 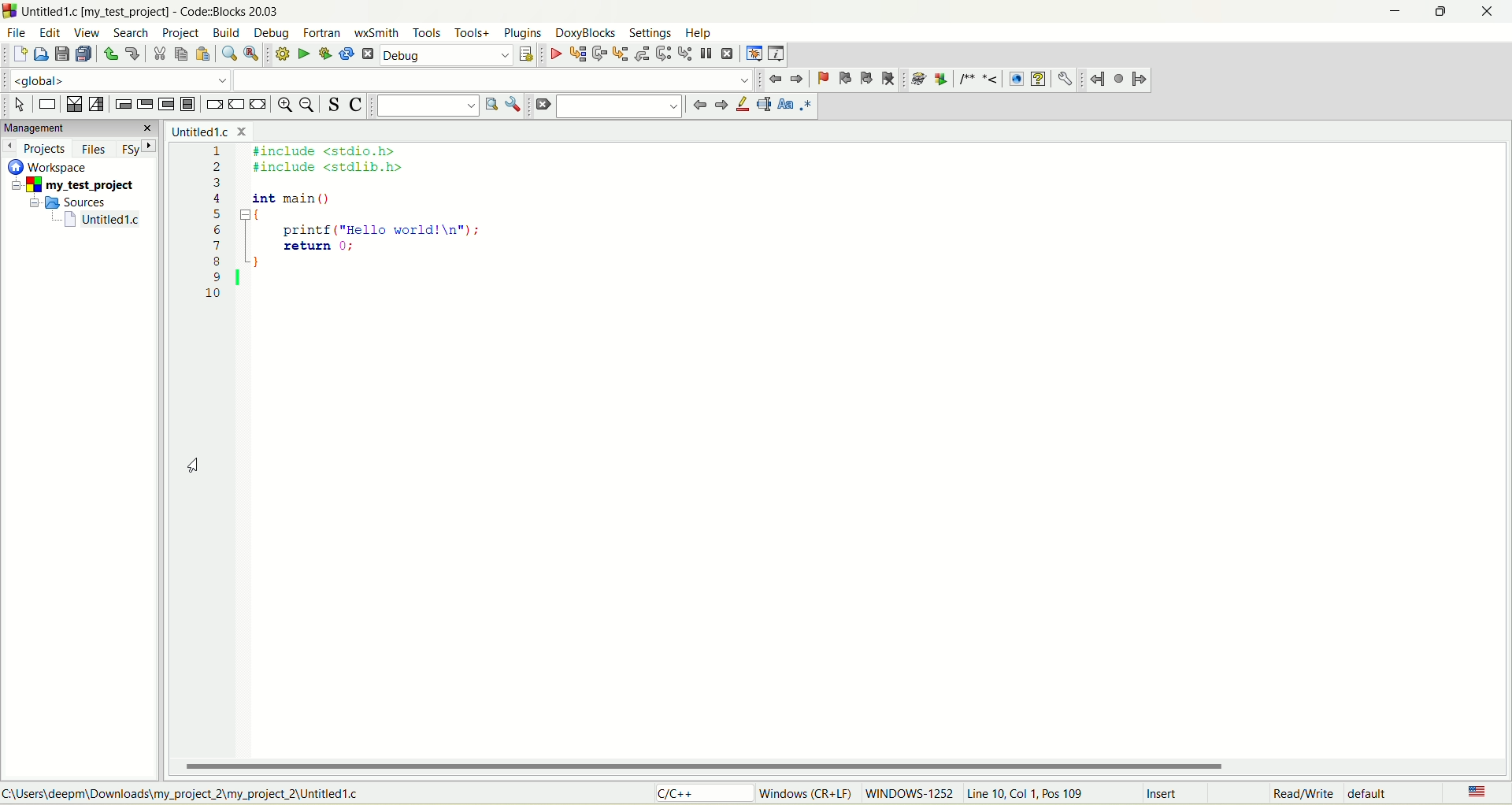 What do you see at coordinates (1117, 79) in the screenshot?
I see `last jump` at bounding box center [1117, 79].